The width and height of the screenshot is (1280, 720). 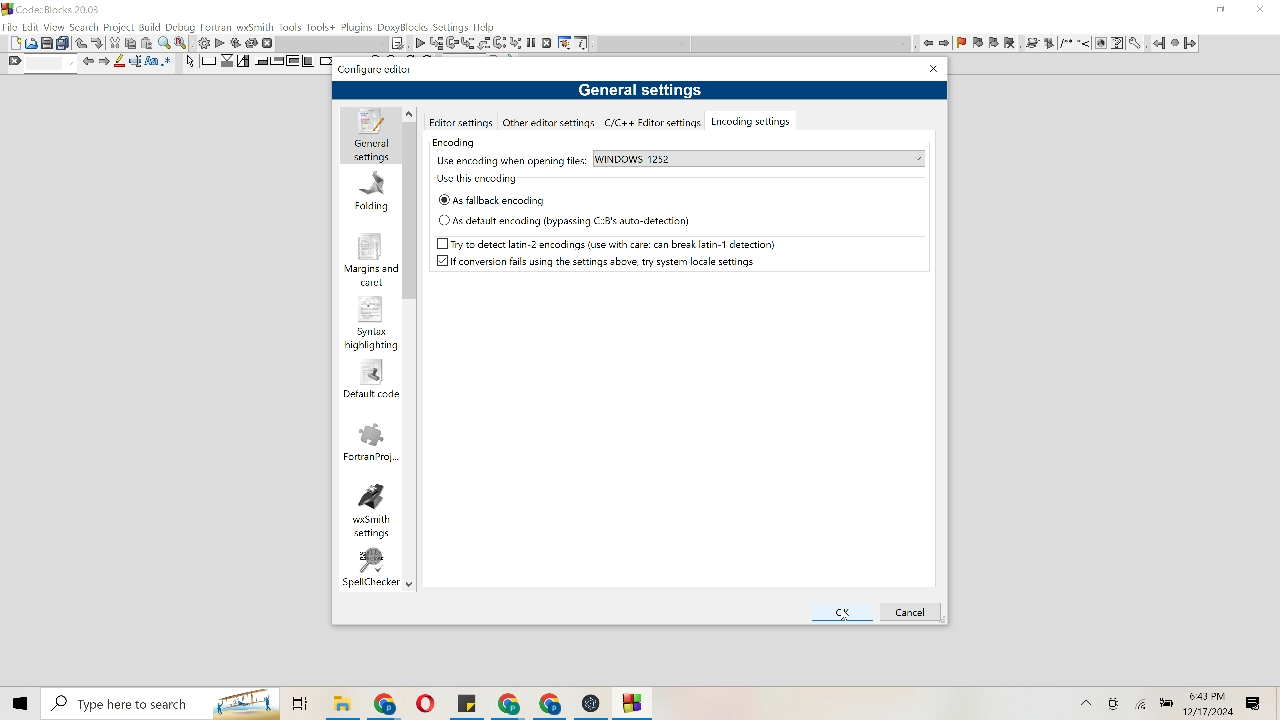 What do you see at coordinates (217, 28) in the screenshot?
I see `Fortran` at bounding box center [217, 28].